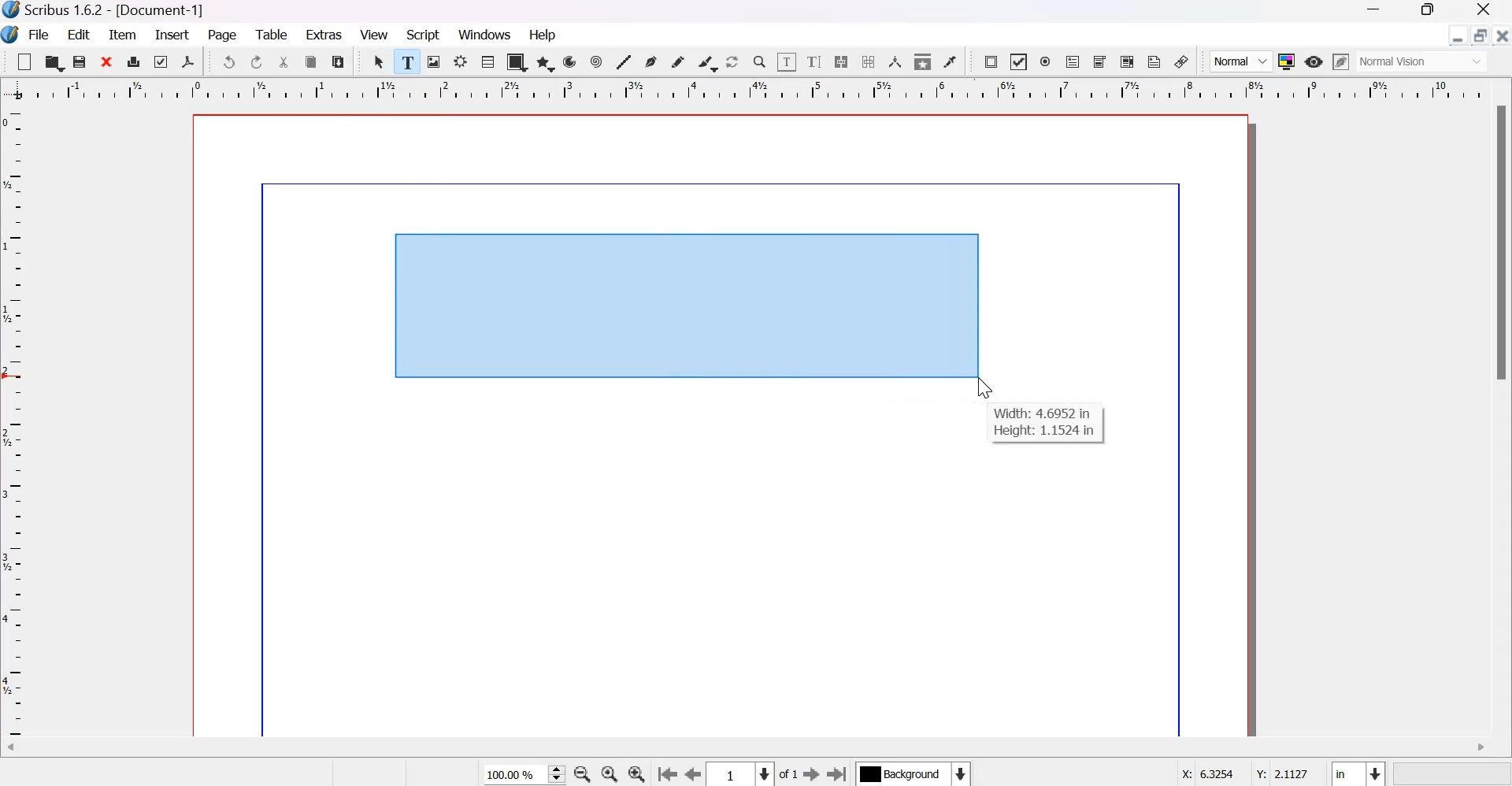  Describe the element at coordinates (1101, 62) in the screenshot. I see `PDF Combo Box` at that location.